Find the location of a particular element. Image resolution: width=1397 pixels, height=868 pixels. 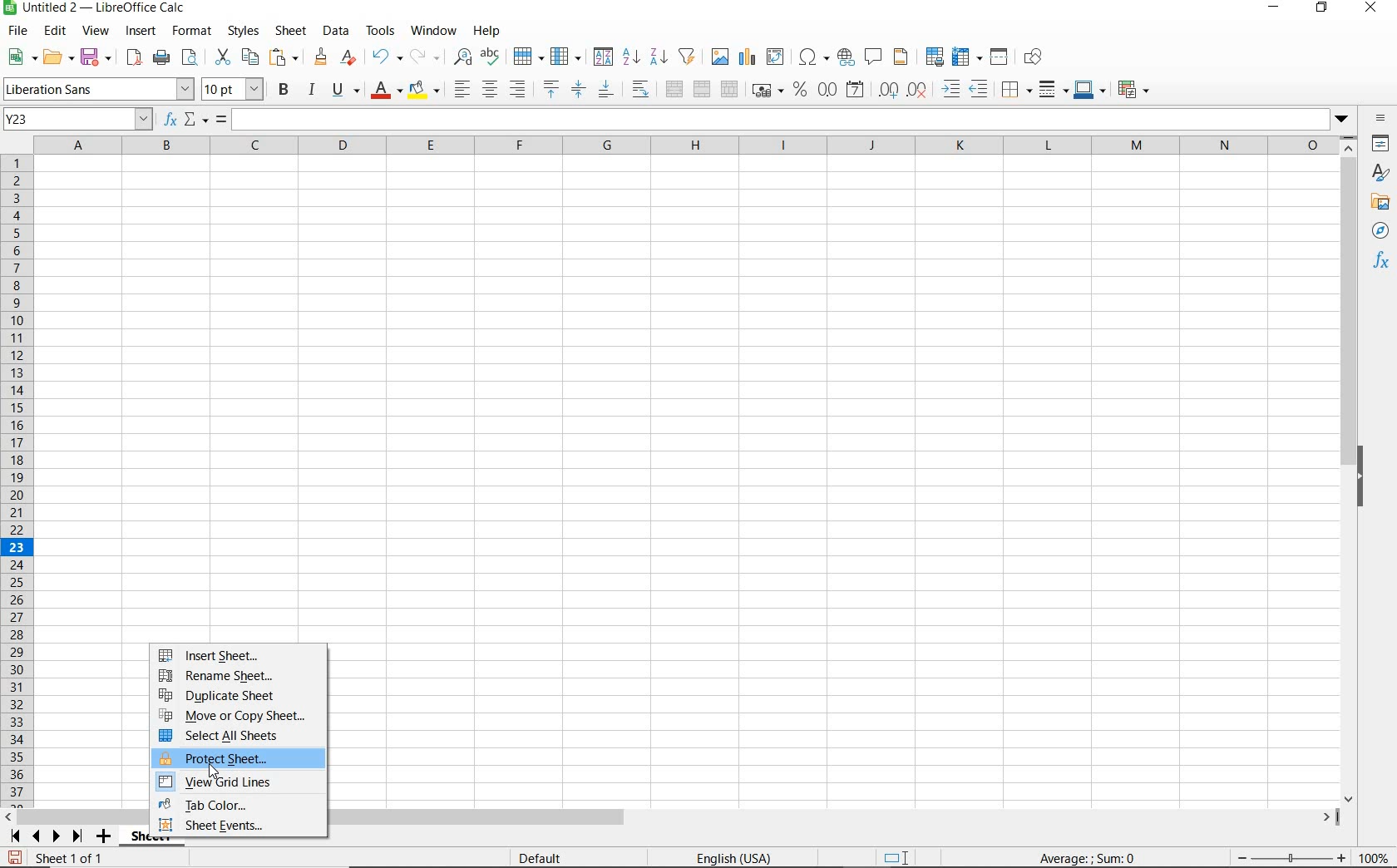

SORT ASCENDING is located at coordinates (632, 57).